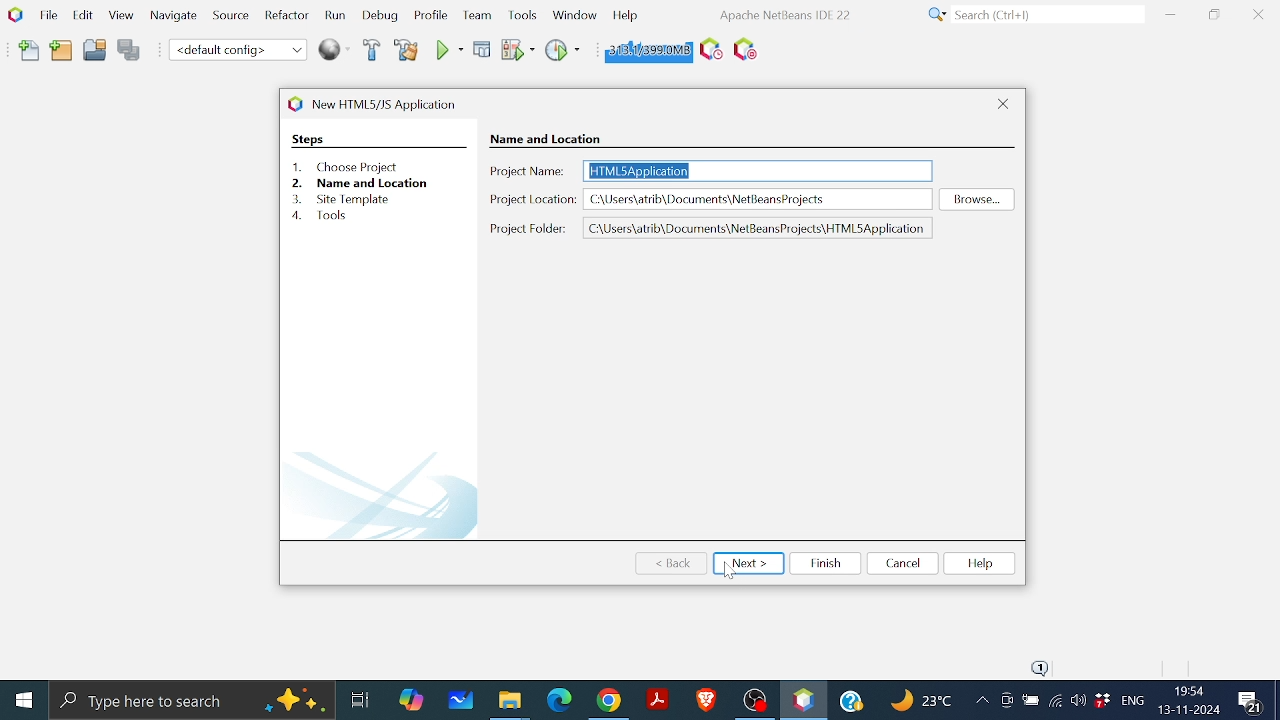 This screenshot has width=1280, height=720. Describe the element at coordinates (381, 16) in the screenshot. I see `Debug` at that location.